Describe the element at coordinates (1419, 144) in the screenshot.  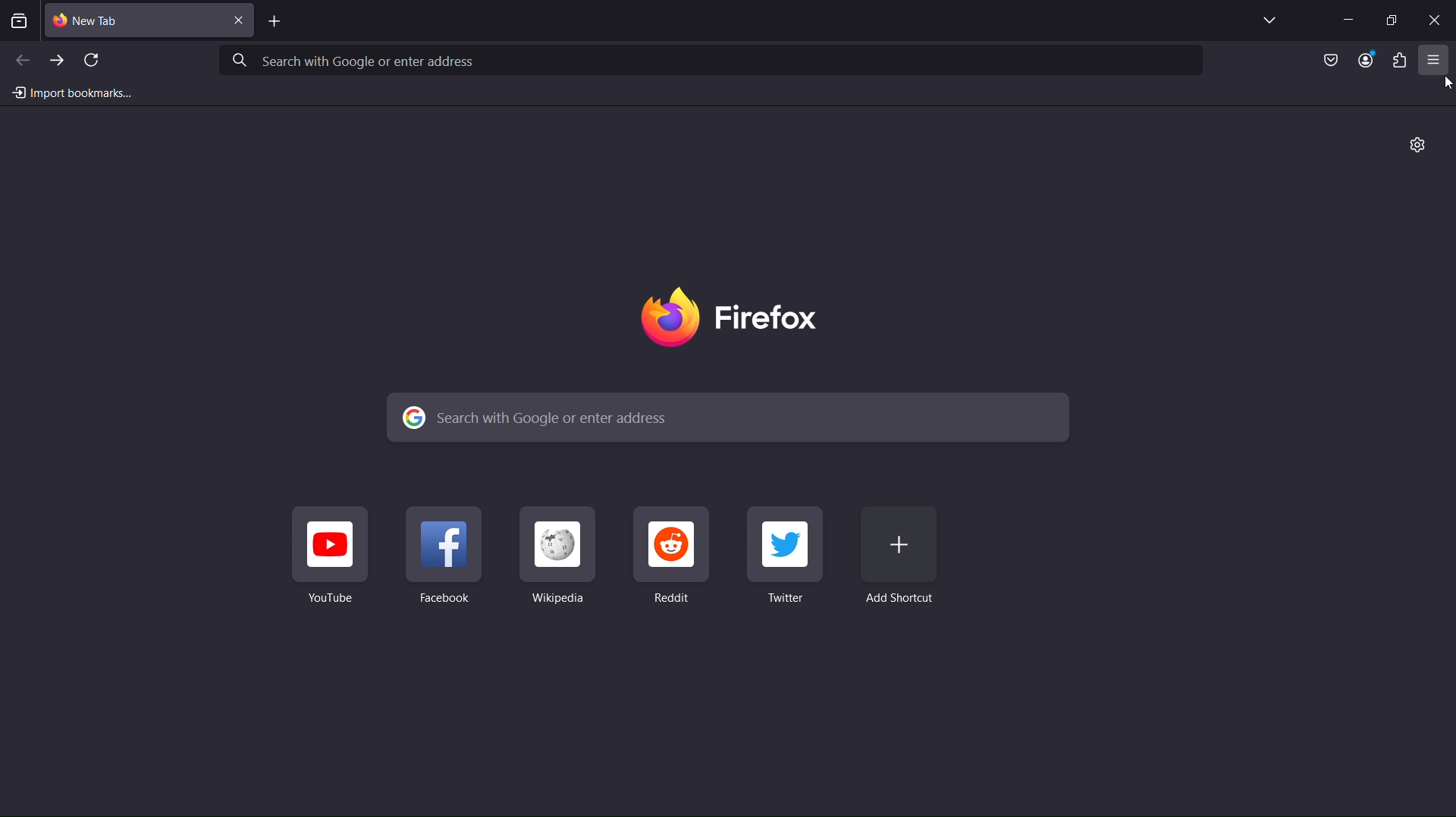
I see `Personalize New Tab` at that location.